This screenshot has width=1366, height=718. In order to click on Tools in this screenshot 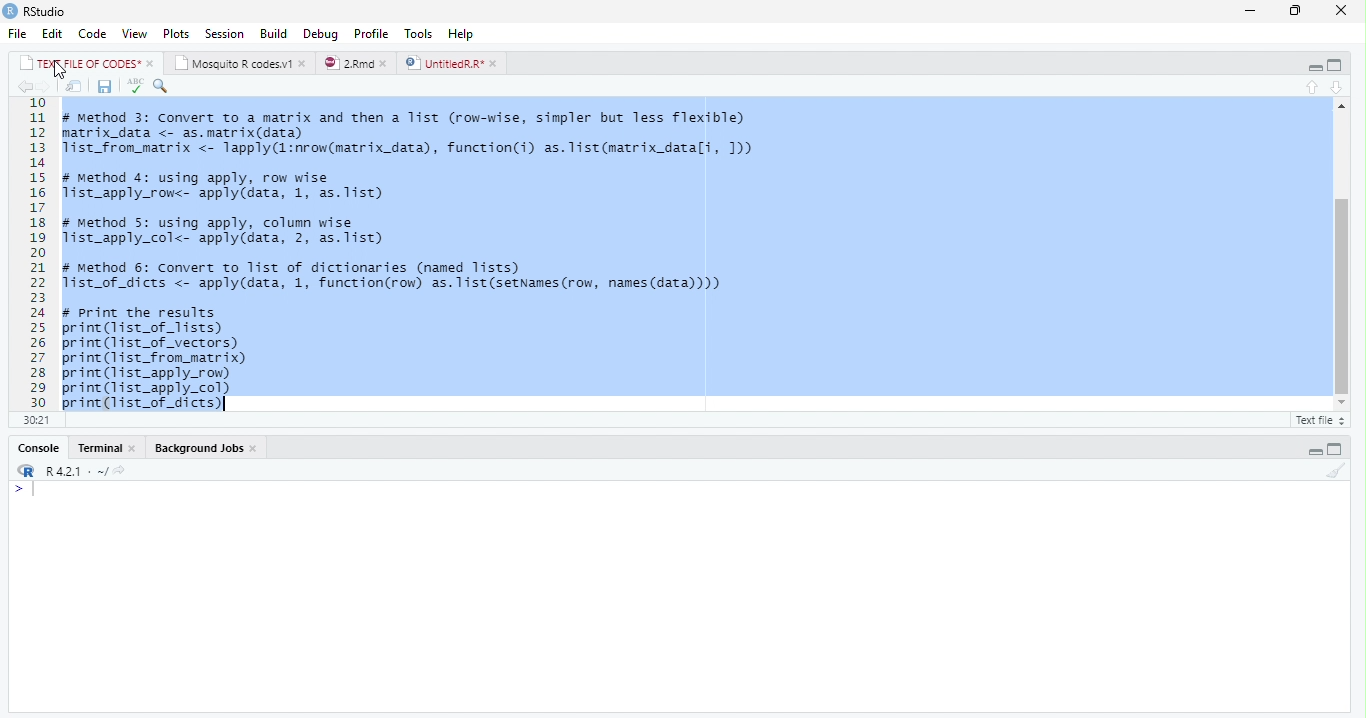, I will do `click(421, 33)`.